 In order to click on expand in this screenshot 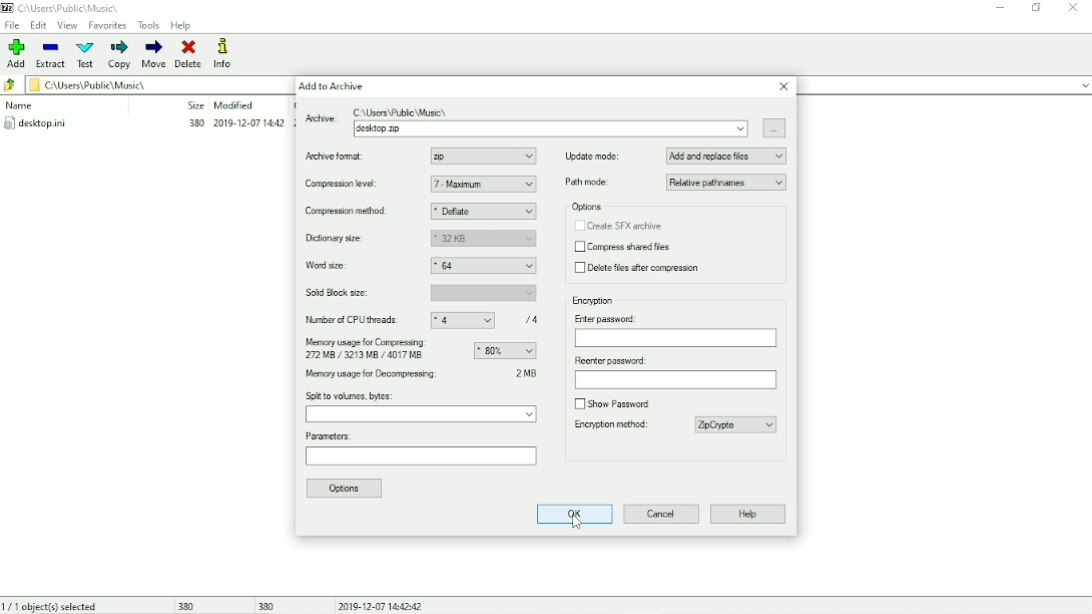, I will do `click(1084, 86)`.